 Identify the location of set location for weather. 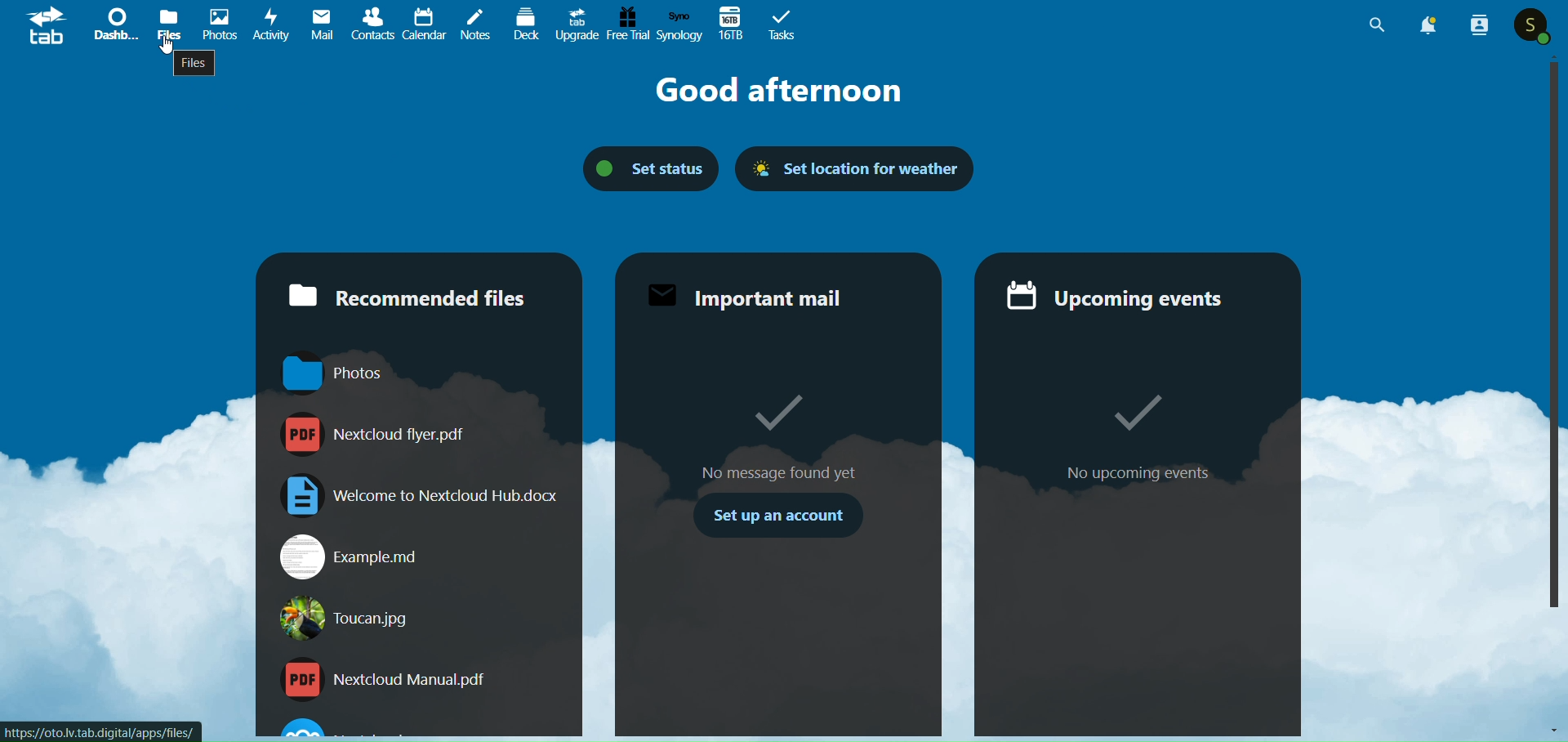
(862, 168).